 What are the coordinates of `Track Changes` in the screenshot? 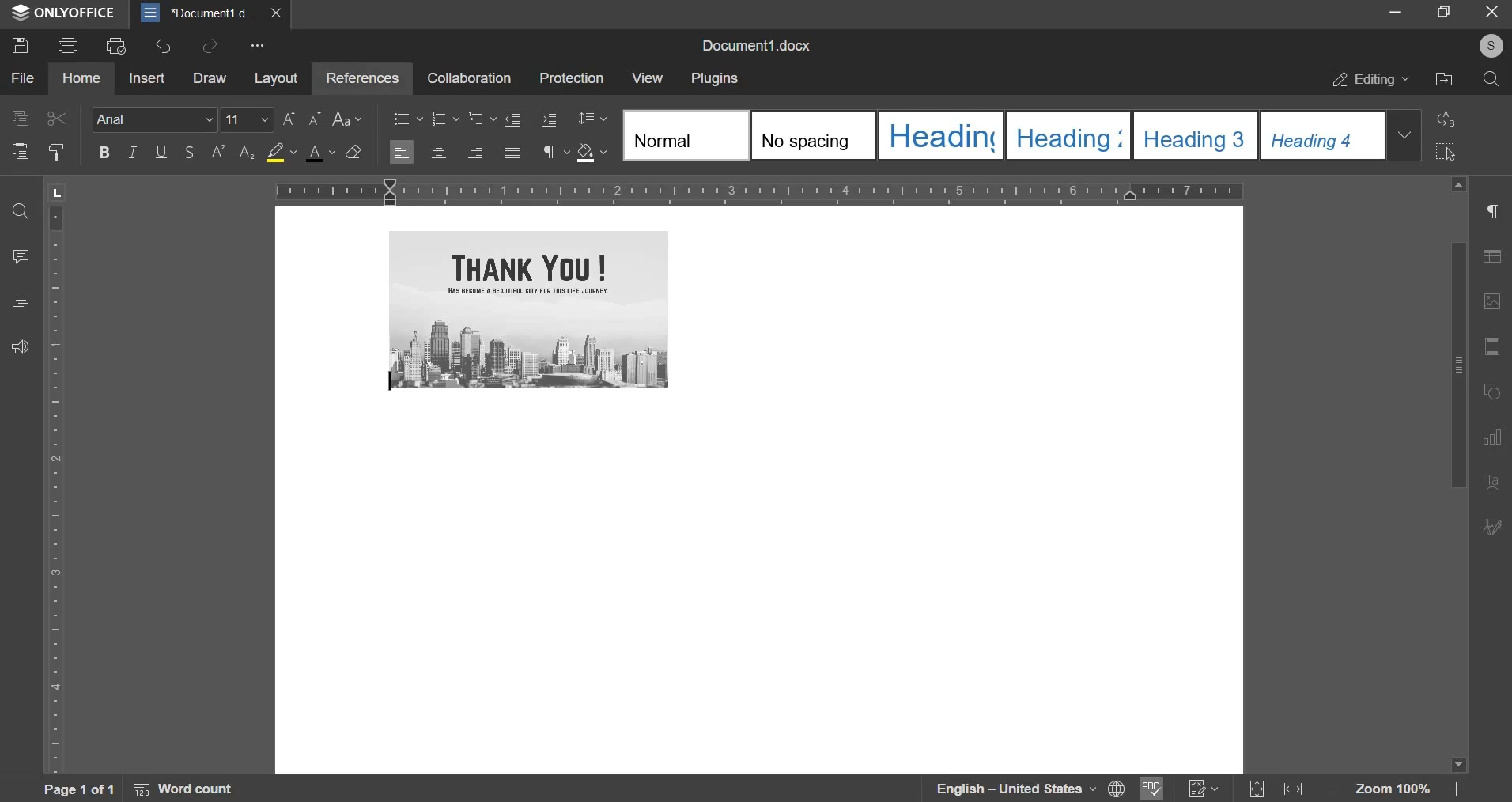 It's located at (1204, 789).